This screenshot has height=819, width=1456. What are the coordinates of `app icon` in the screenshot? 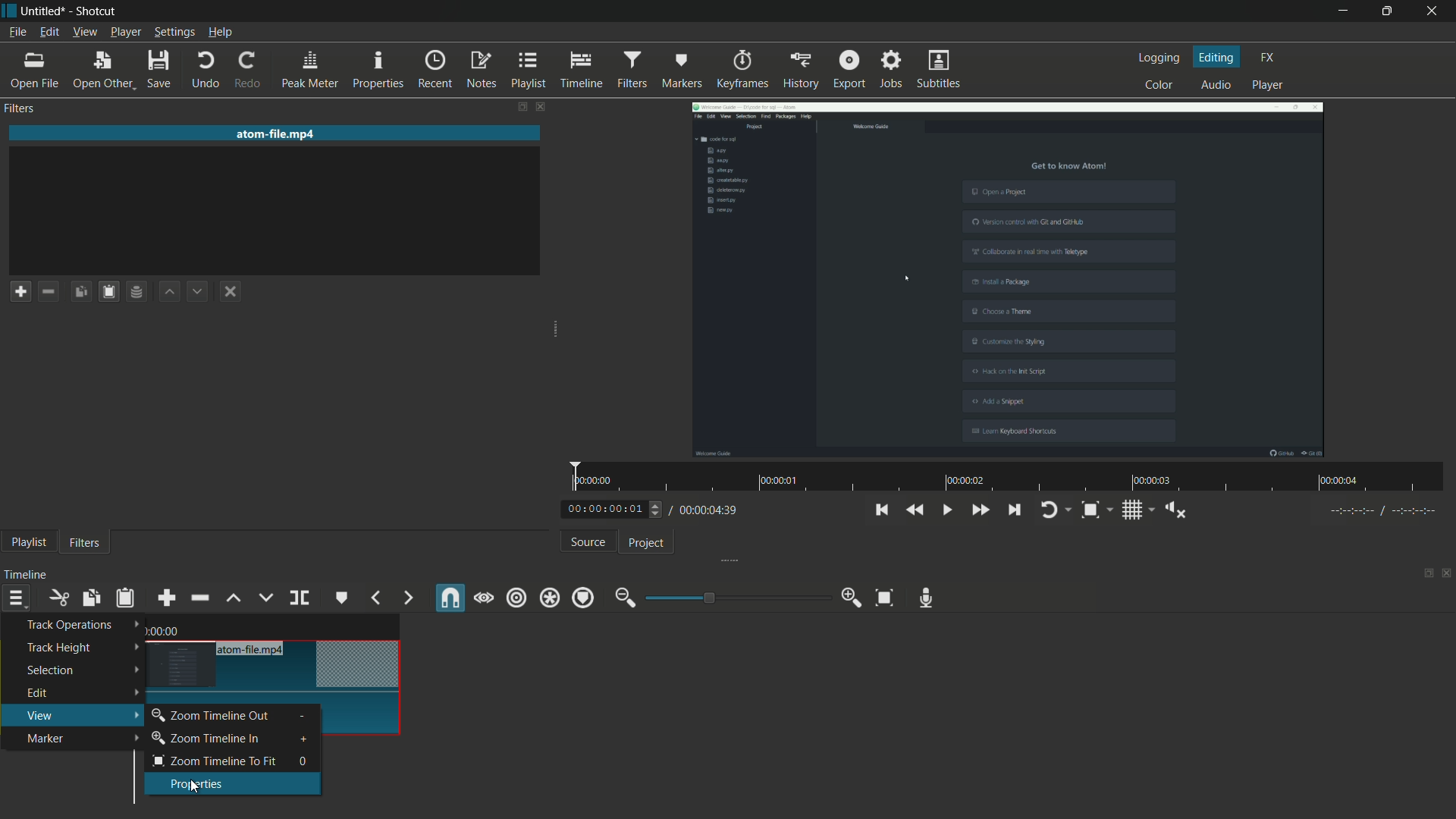 It's located at (9, 11).